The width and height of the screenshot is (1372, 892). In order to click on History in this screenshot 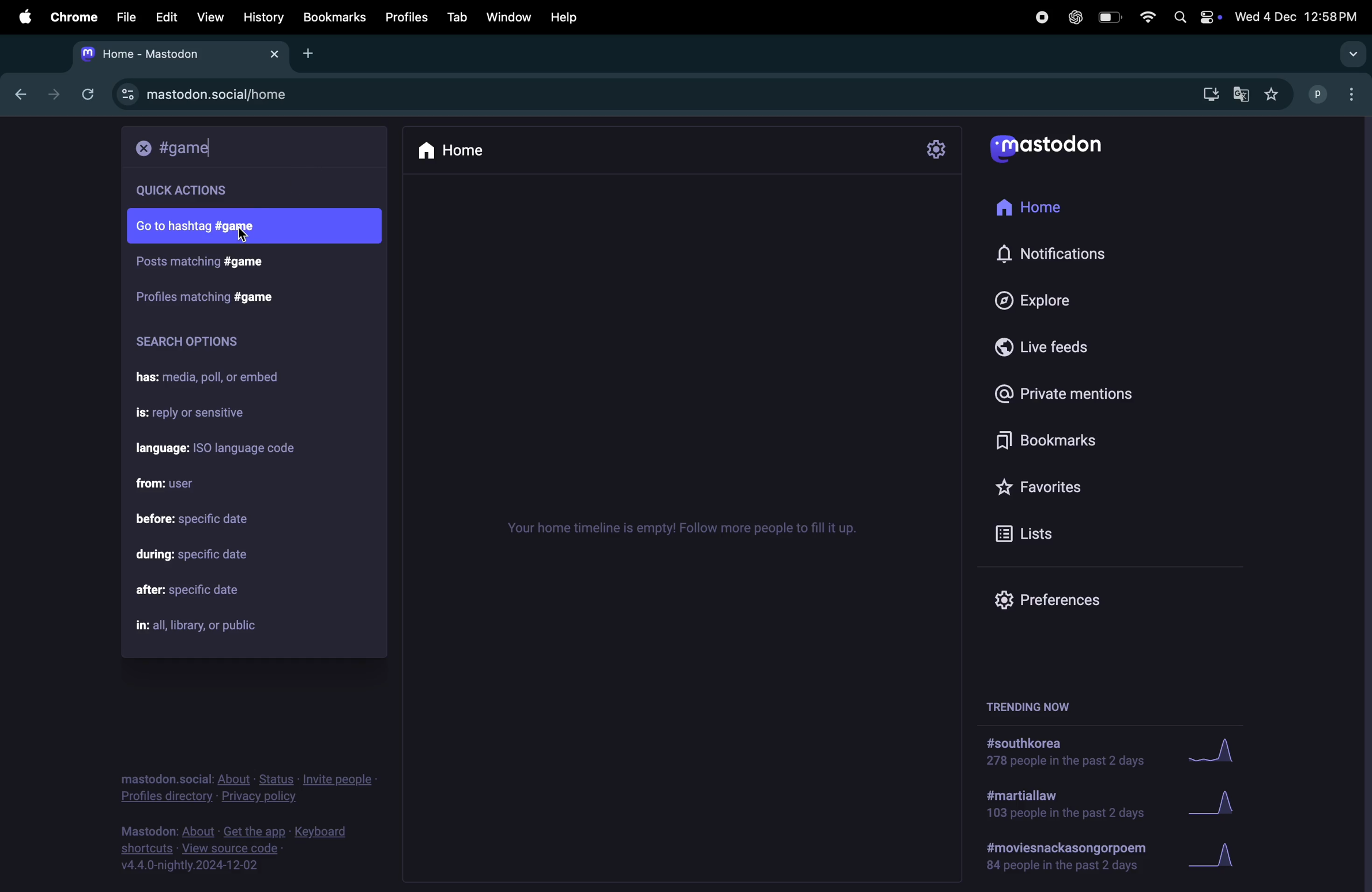, I will do `click(263, 17)`.